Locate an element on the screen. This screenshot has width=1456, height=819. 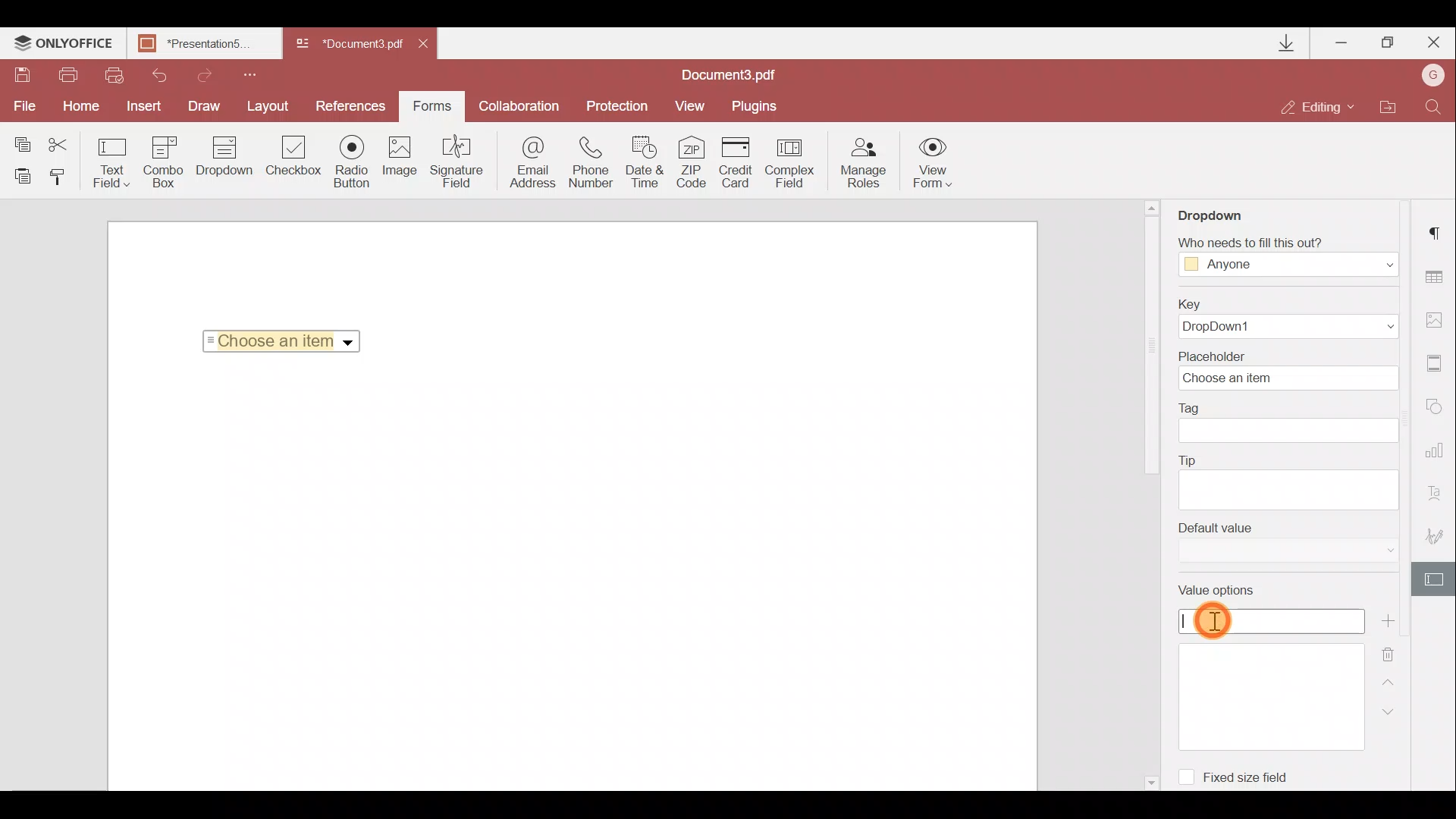
Customize quick access toolbar is located at coordinates (244, 73).